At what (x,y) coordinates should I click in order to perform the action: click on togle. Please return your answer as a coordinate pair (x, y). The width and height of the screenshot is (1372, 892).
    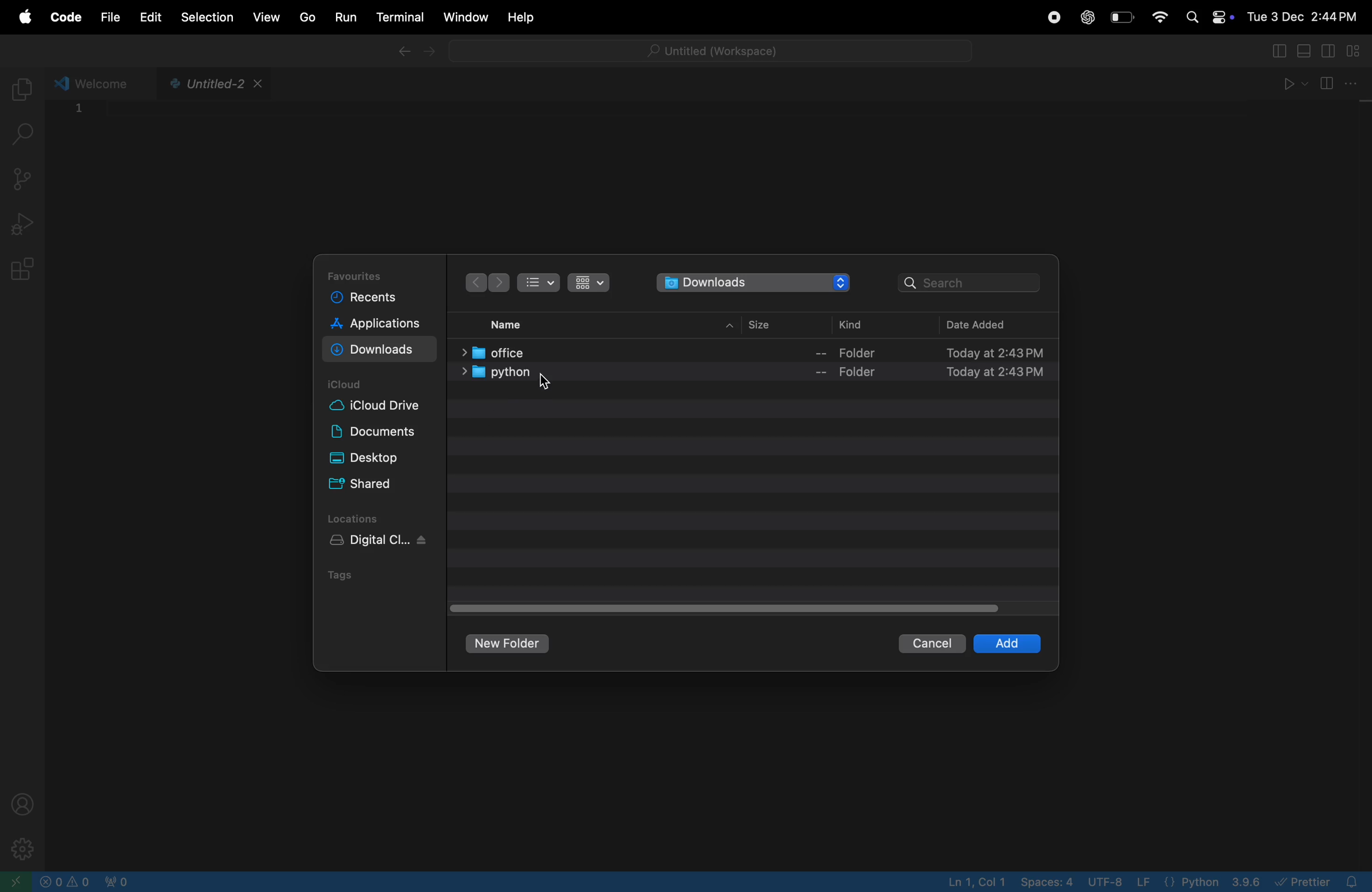
    Looking at the image, I should click on (730, 608).